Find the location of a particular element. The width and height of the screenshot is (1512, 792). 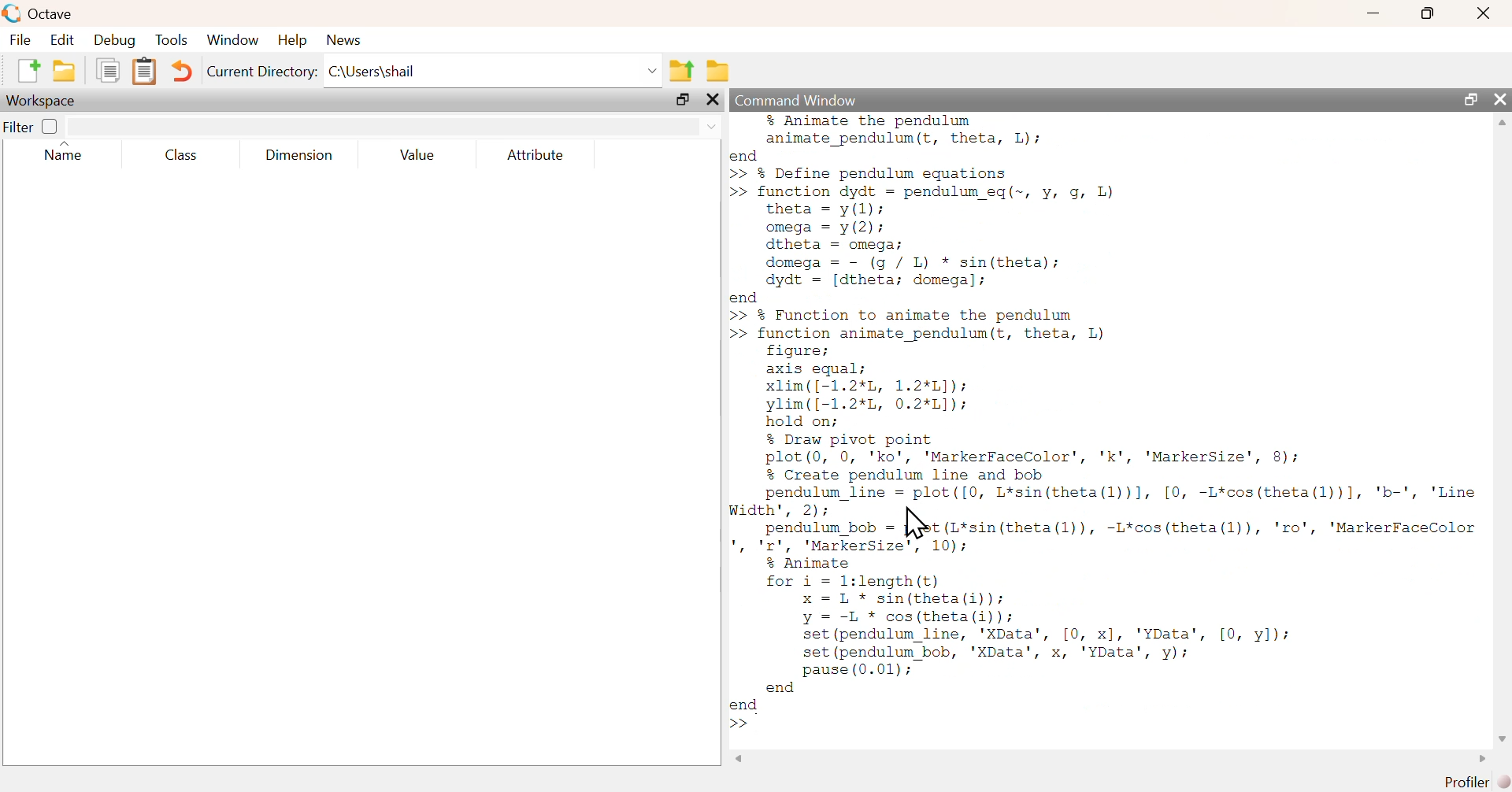

drop down is located at coordinates (710, 125).